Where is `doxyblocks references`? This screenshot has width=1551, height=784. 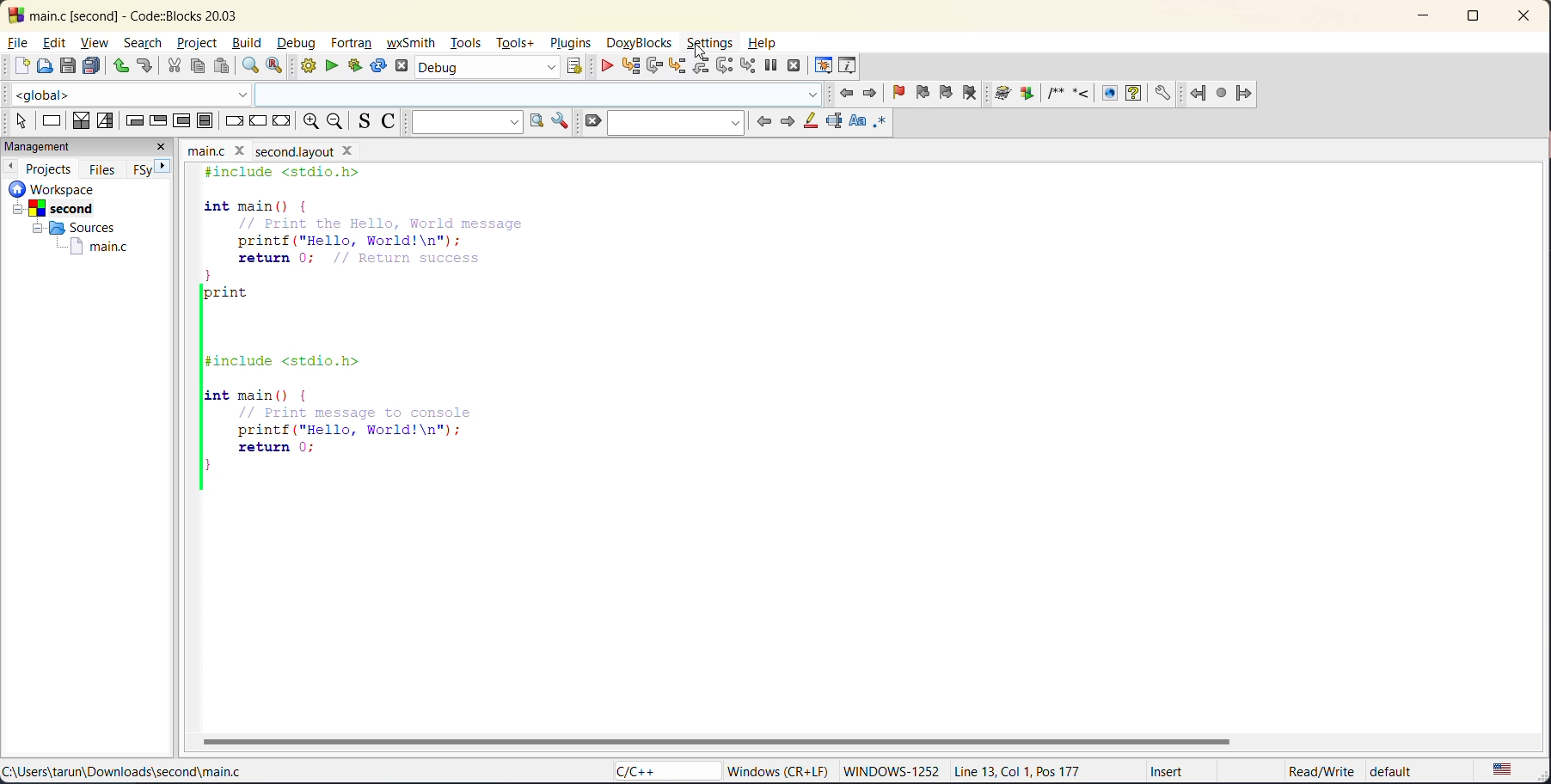 doxyblocks references is located at coordinates (1092, 93).